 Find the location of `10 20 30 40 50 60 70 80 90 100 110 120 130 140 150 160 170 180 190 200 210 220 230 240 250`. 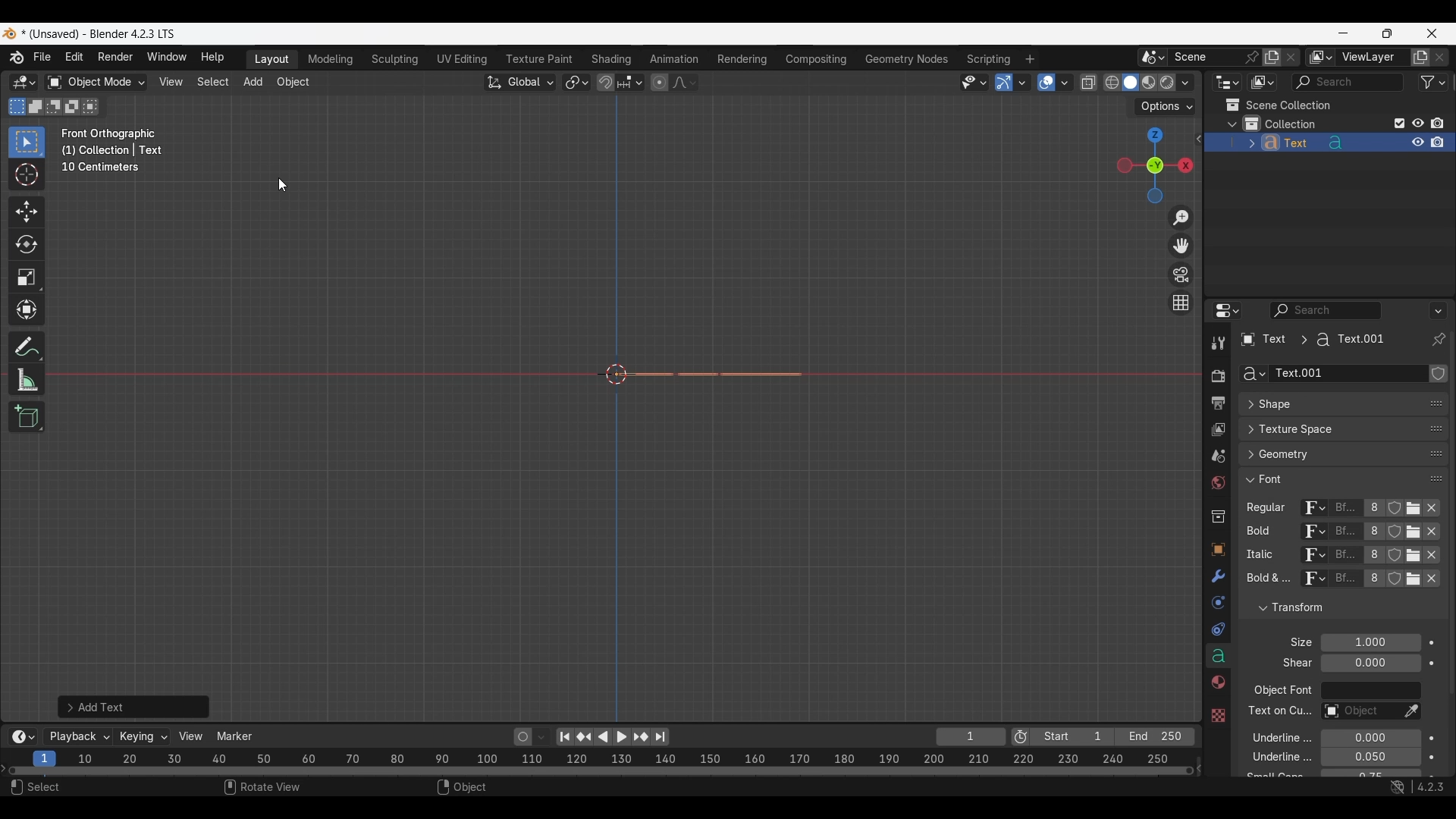

10 20 30 40 50 60 70 80 90 100 110 120 130 140 150 160 170 180 190 200 210 220 230 240 250 is located at coordinates (627, 757).